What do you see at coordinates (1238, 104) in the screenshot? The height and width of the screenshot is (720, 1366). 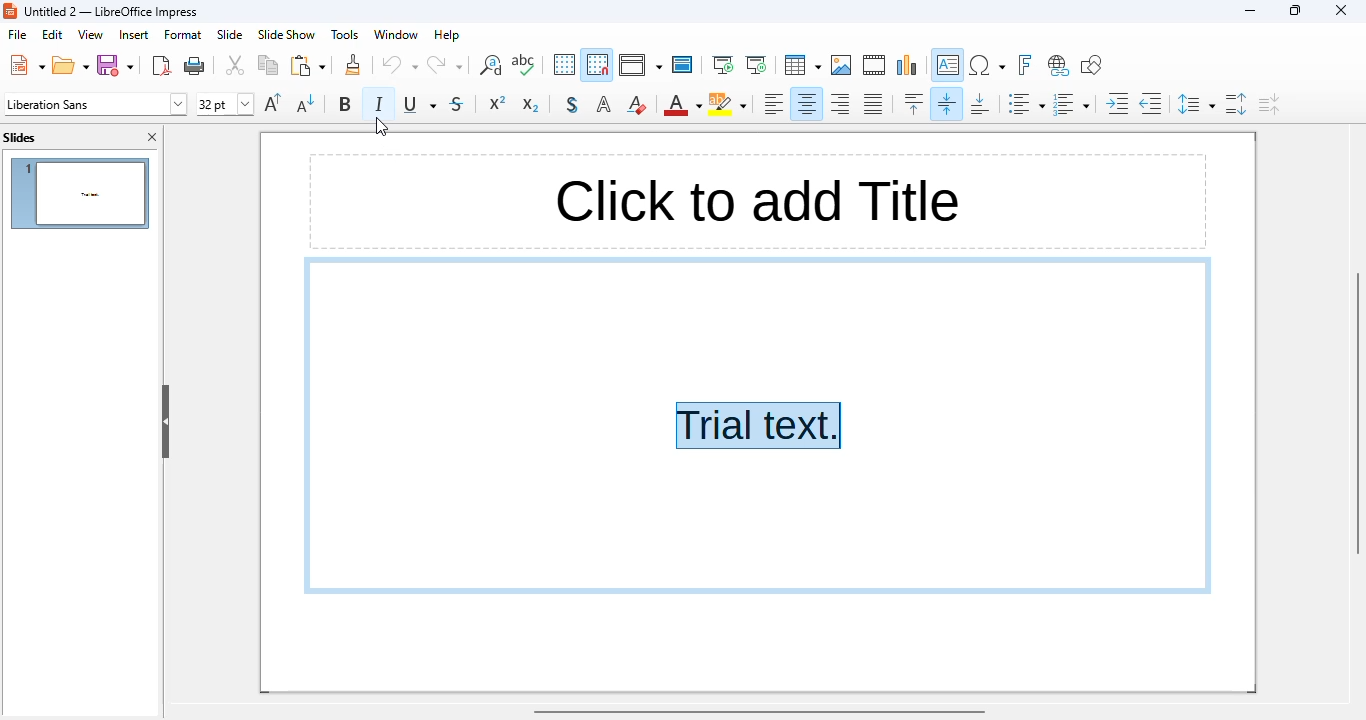 I see `increase paragraph spacing` at bounding box center [1238, 104].